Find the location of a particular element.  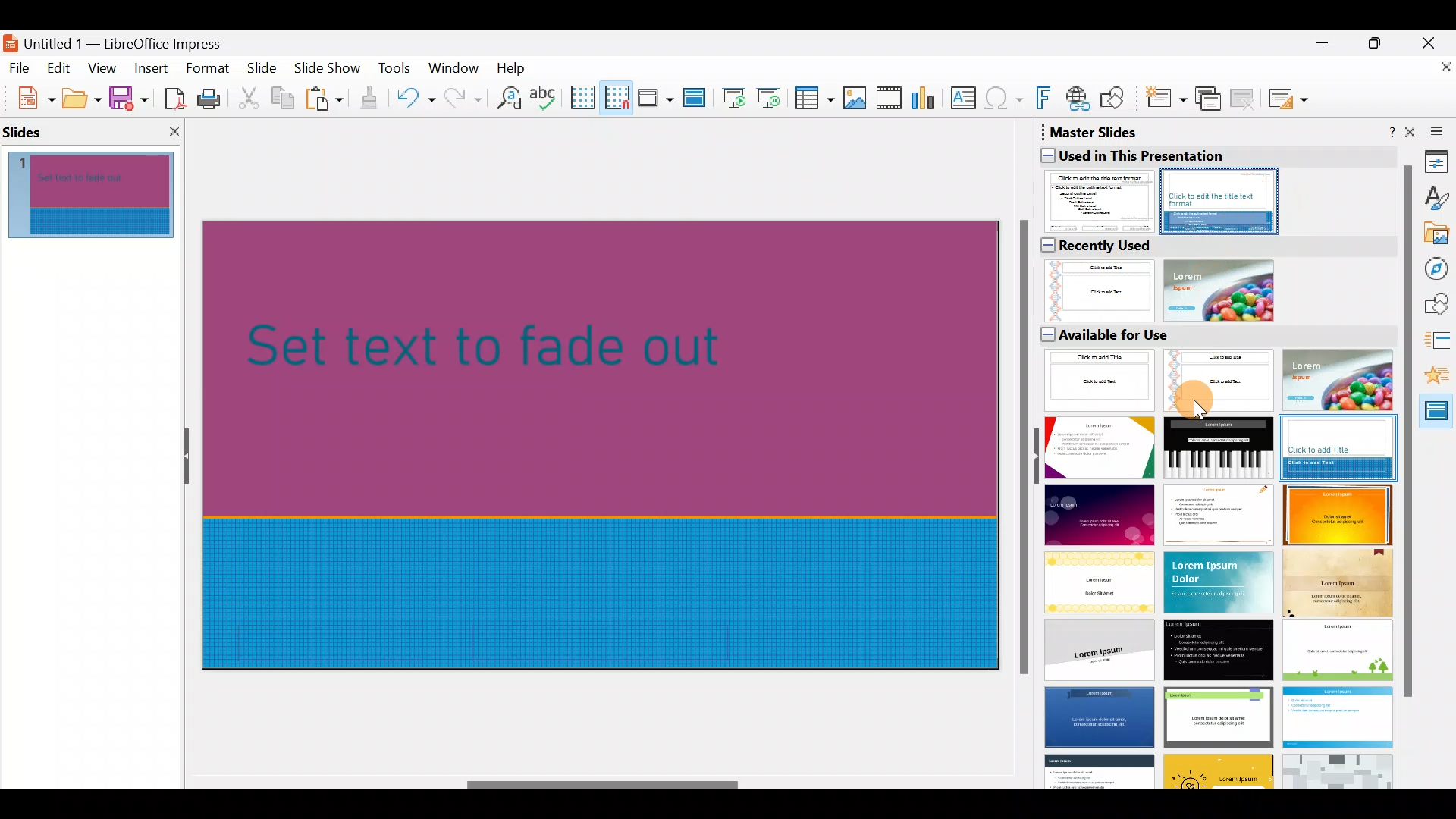

scroll bar is located at coordinates (1407, 432).